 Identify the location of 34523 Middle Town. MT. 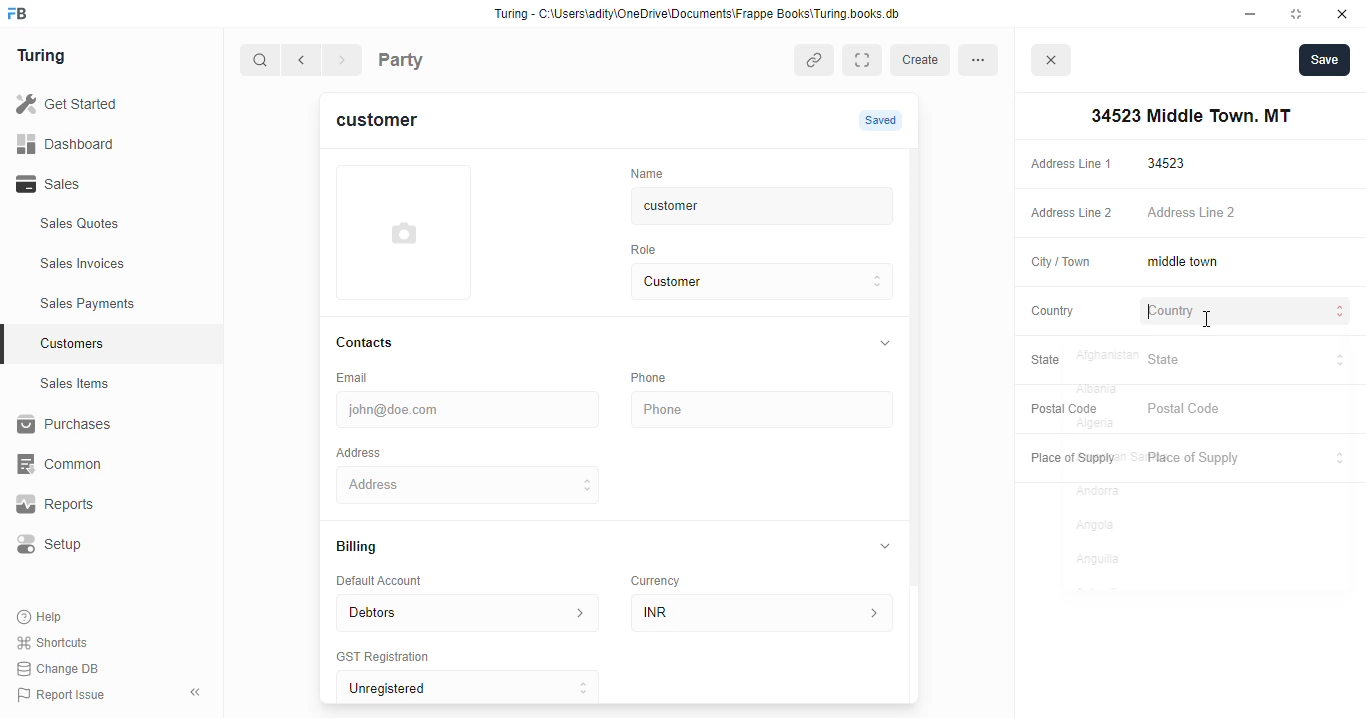
(471, 484).